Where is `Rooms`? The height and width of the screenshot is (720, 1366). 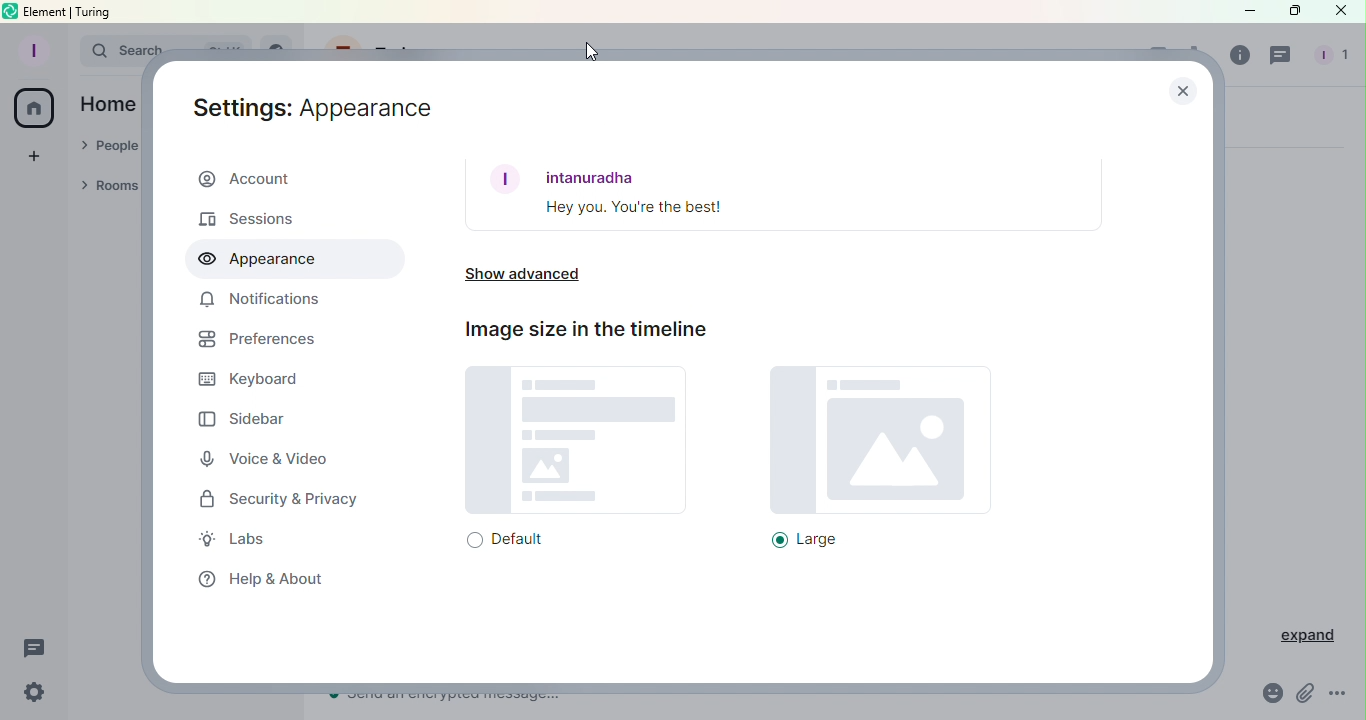
Rooms is located at coordinates (112, 188).